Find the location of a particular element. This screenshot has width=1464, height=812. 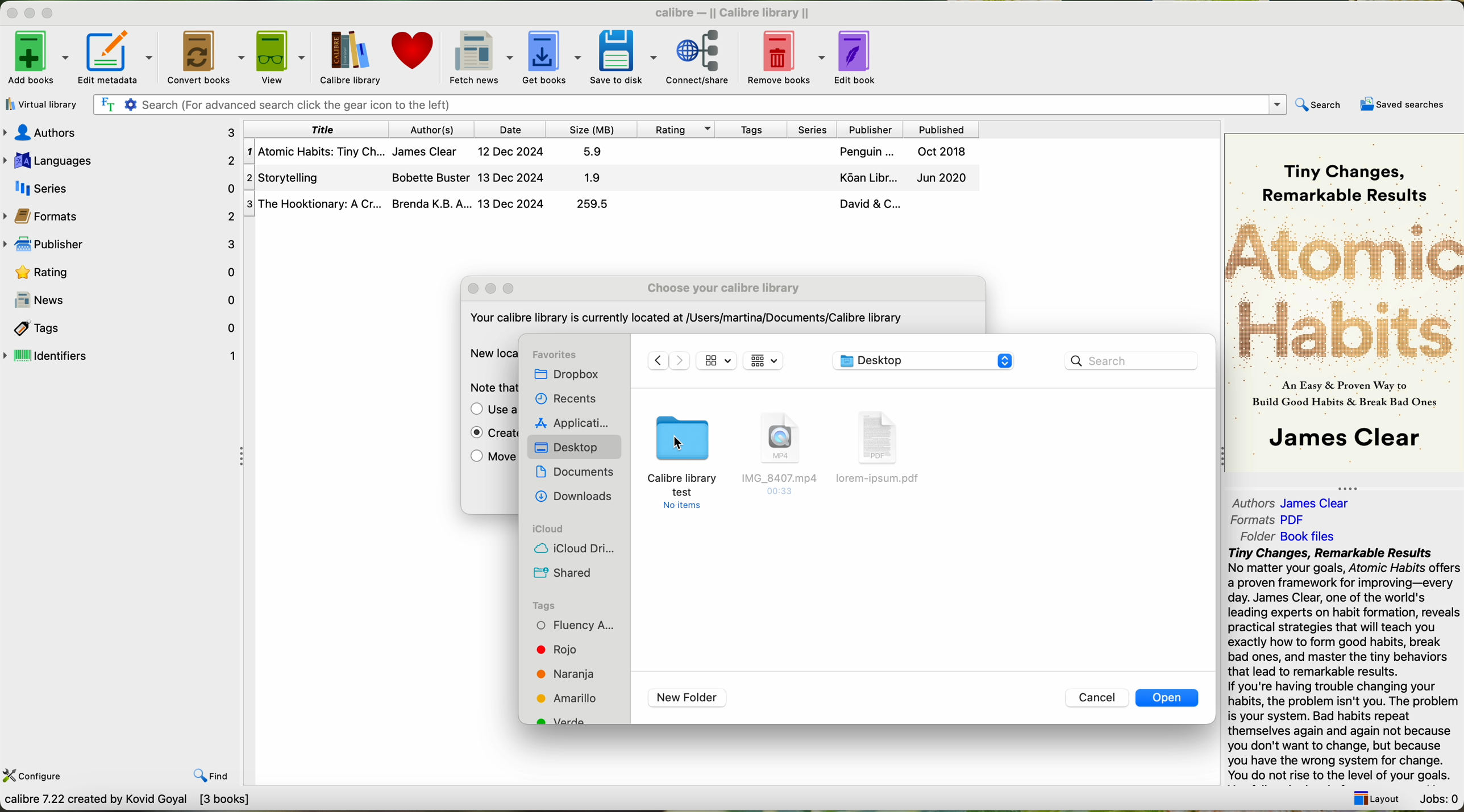

edit metadata is located at coordinates (120, 57).